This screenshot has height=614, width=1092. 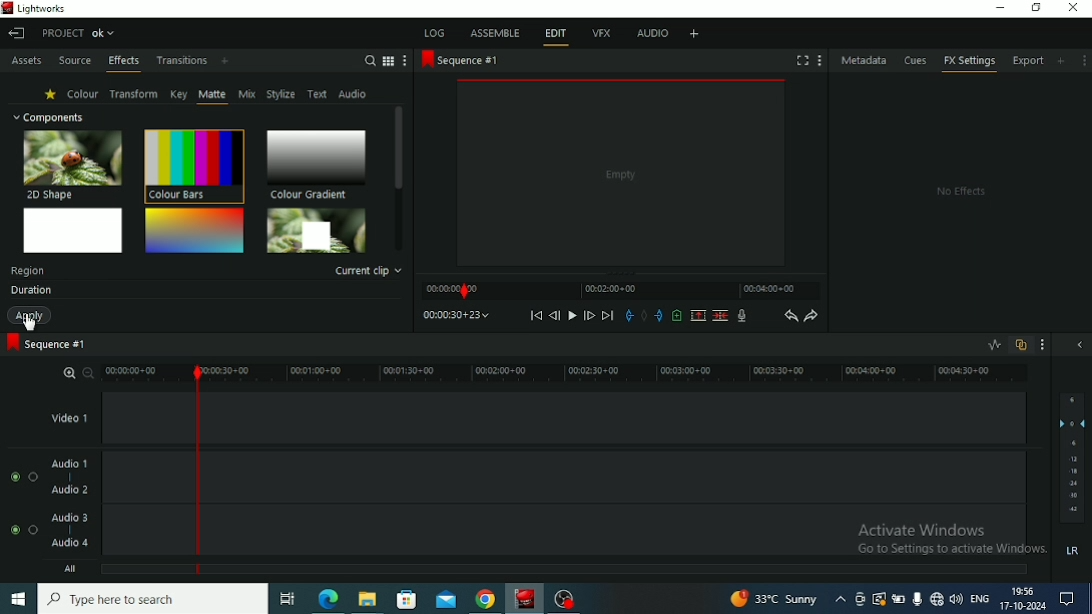 I want to click on Colour, so click(x=83, y=93).